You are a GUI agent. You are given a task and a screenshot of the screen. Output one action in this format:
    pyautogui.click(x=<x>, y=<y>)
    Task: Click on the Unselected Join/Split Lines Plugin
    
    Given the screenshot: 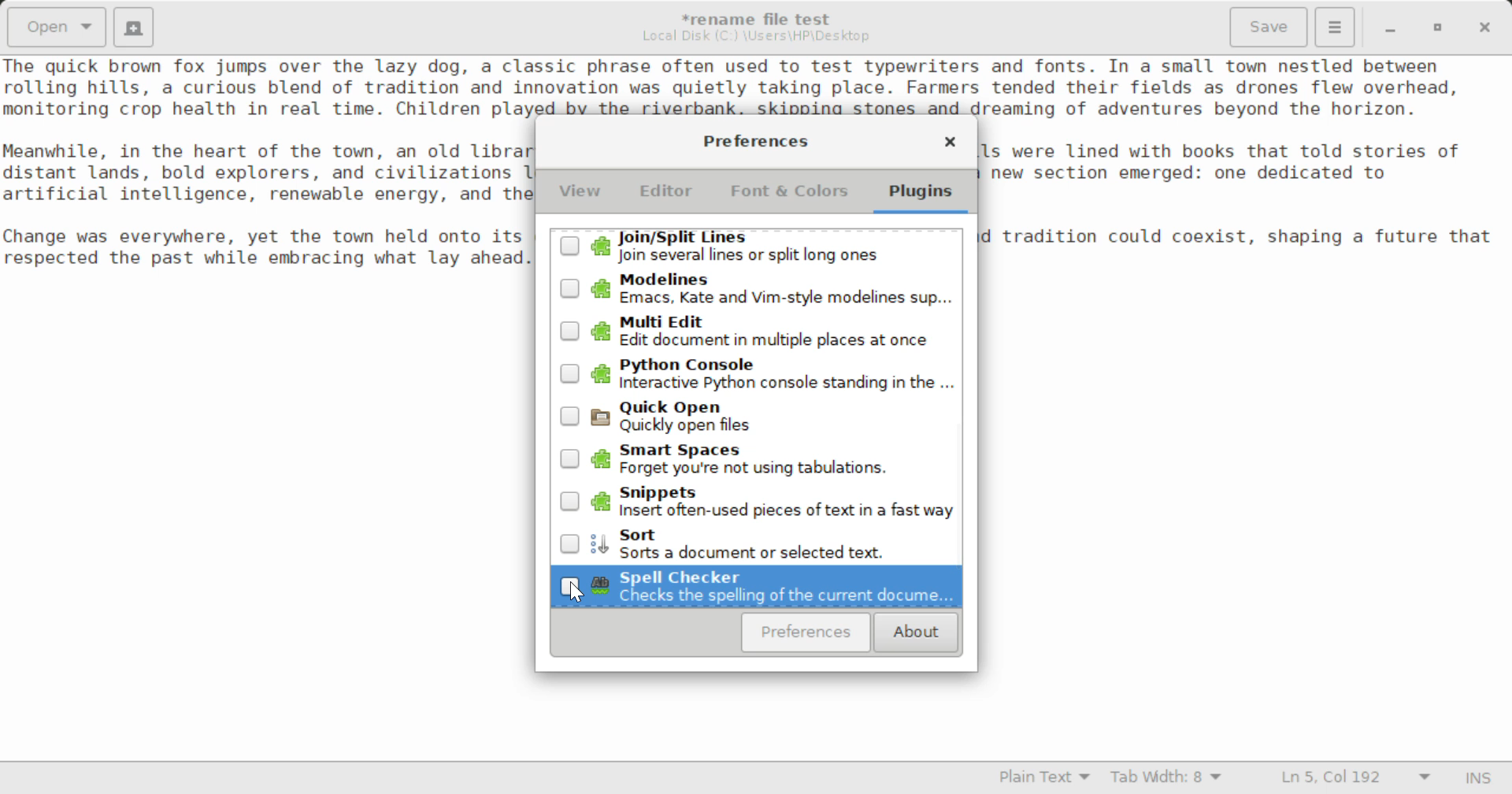 What is the action you would take?
    pyautogui.click(x=754, y=247)
    